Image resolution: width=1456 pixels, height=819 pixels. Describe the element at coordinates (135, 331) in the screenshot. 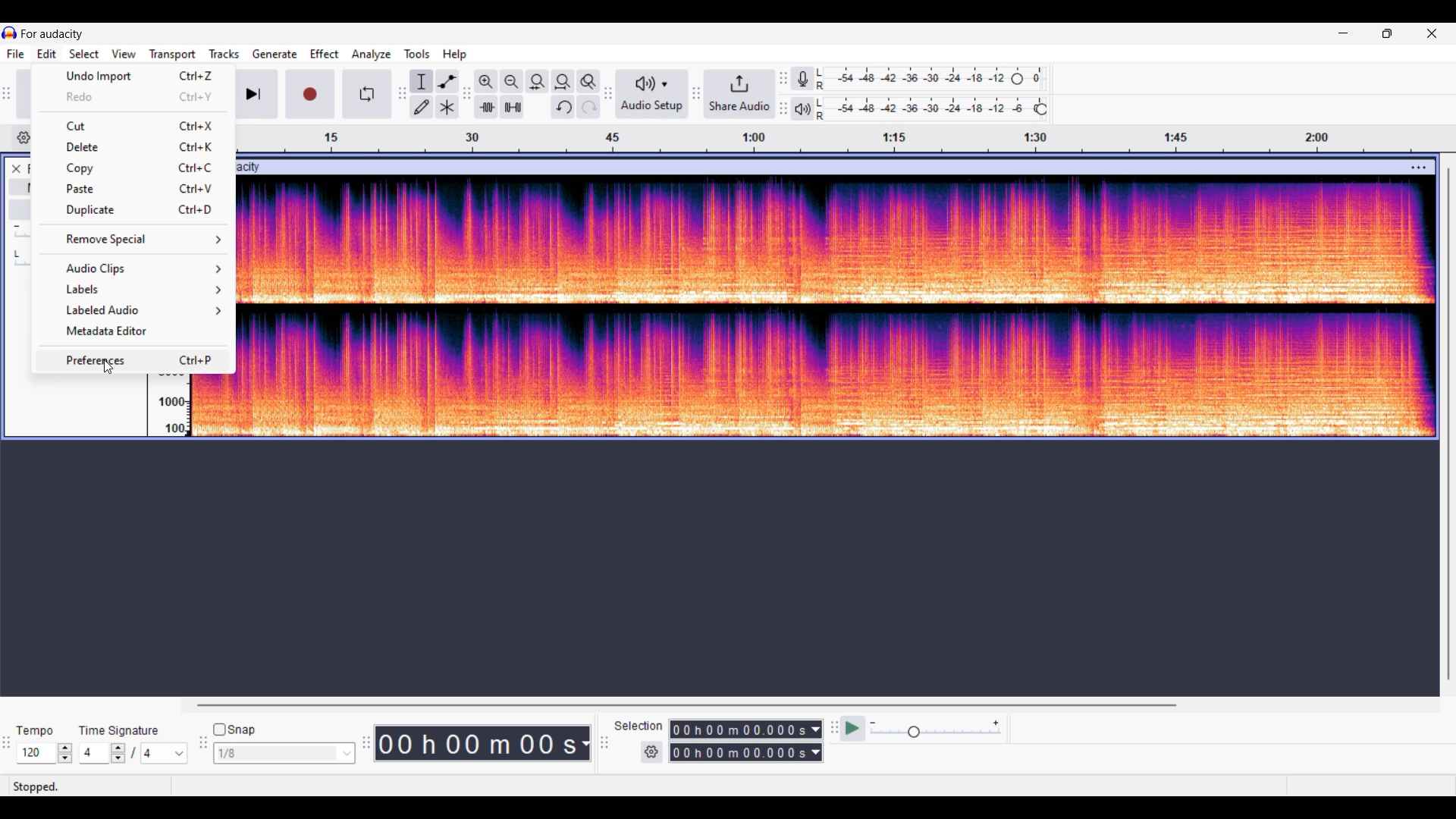

I see `Metadata editor` at that location.